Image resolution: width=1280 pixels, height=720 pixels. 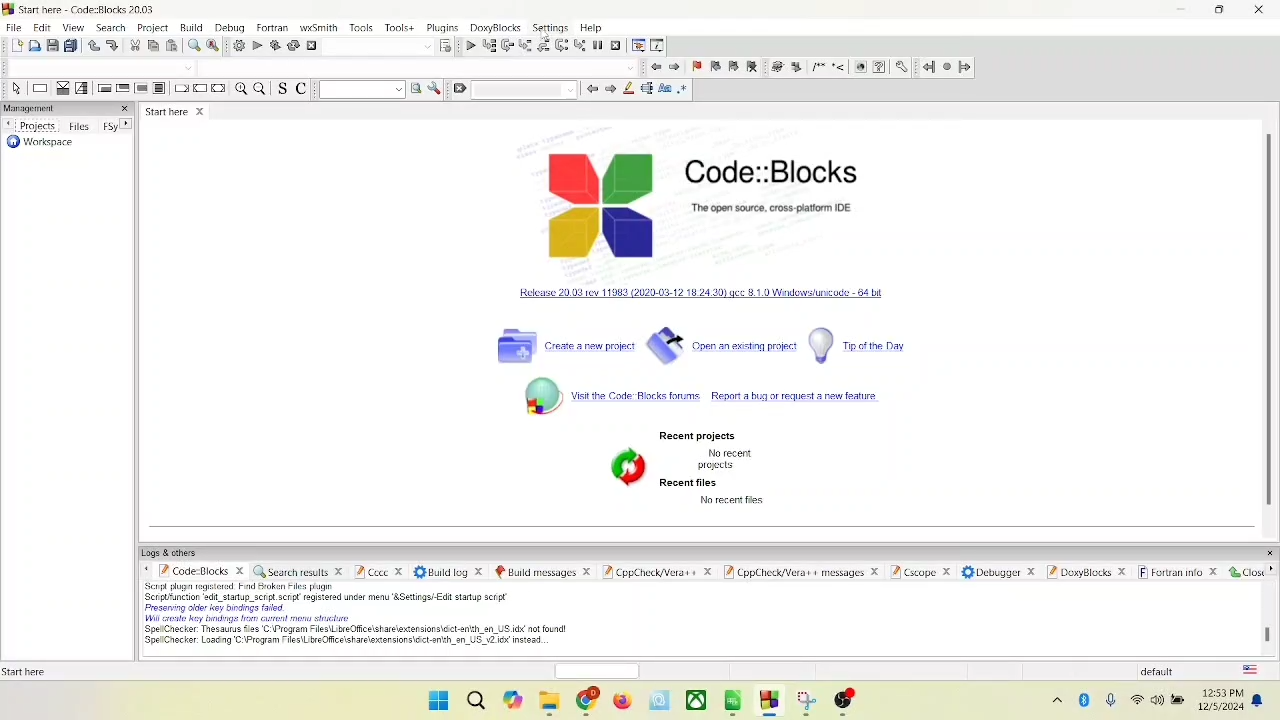 I want to click on logo, so click(x=8, y=9).